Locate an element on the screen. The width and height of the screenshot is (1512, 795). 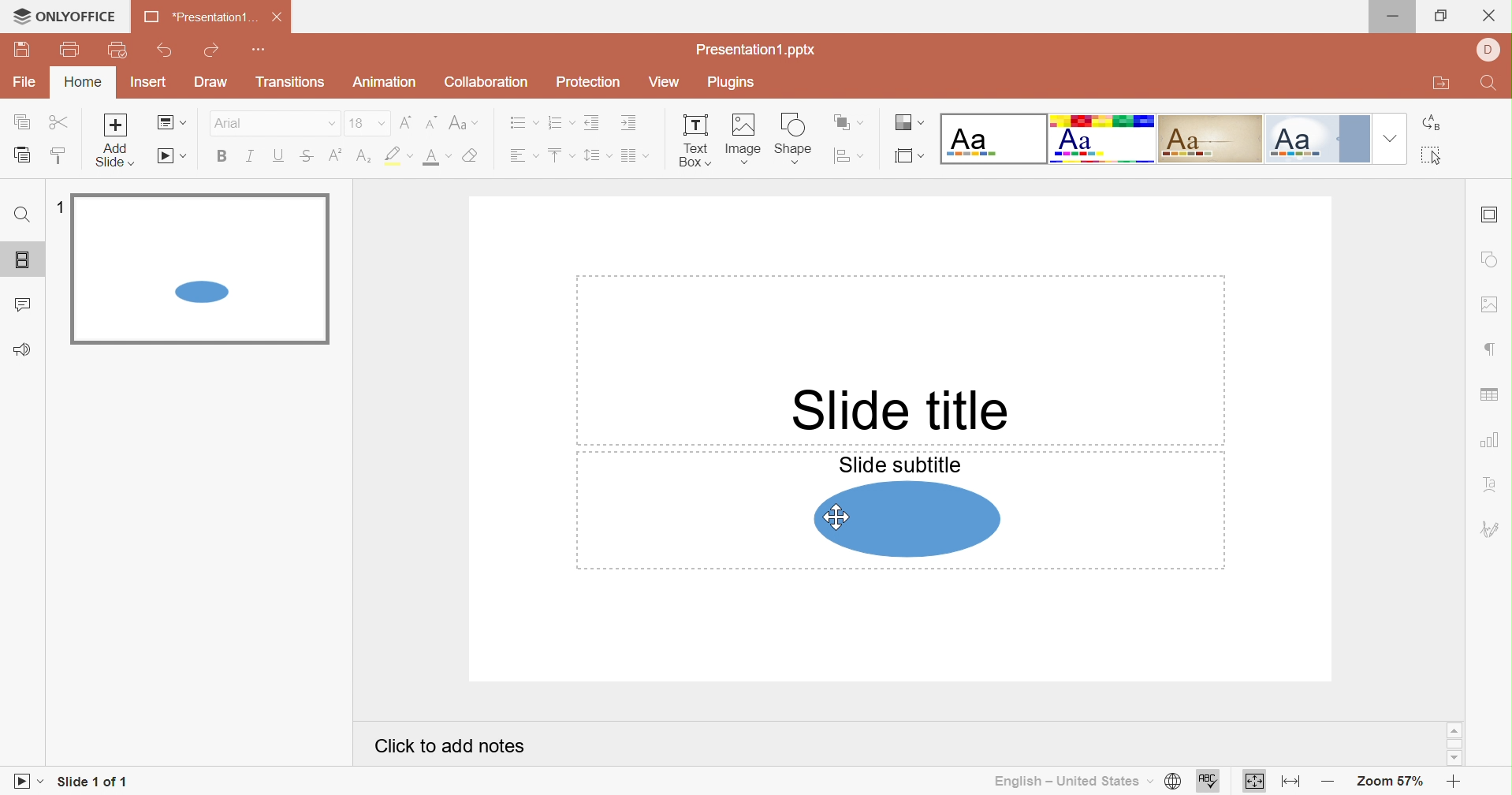
Slides is located at coordinates (23, 259).